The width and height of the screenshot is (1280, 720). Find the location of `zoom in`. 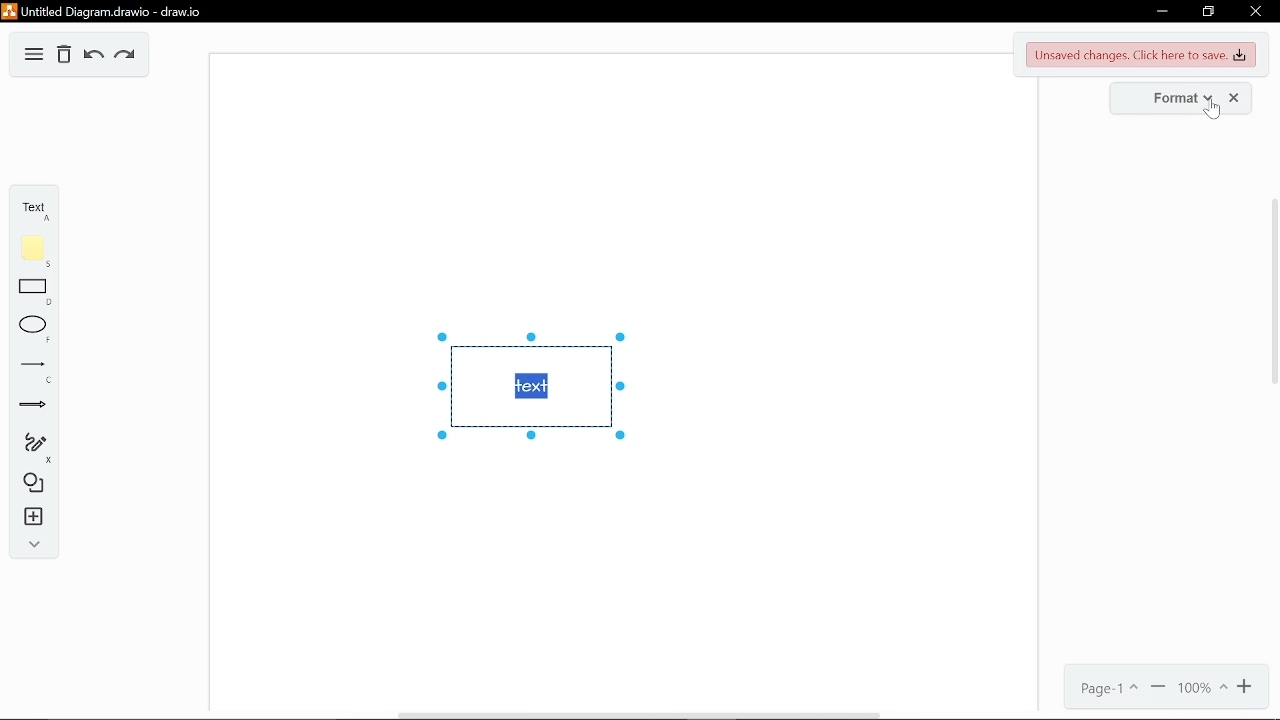

zoom in is located at coordinates (1247, 689).